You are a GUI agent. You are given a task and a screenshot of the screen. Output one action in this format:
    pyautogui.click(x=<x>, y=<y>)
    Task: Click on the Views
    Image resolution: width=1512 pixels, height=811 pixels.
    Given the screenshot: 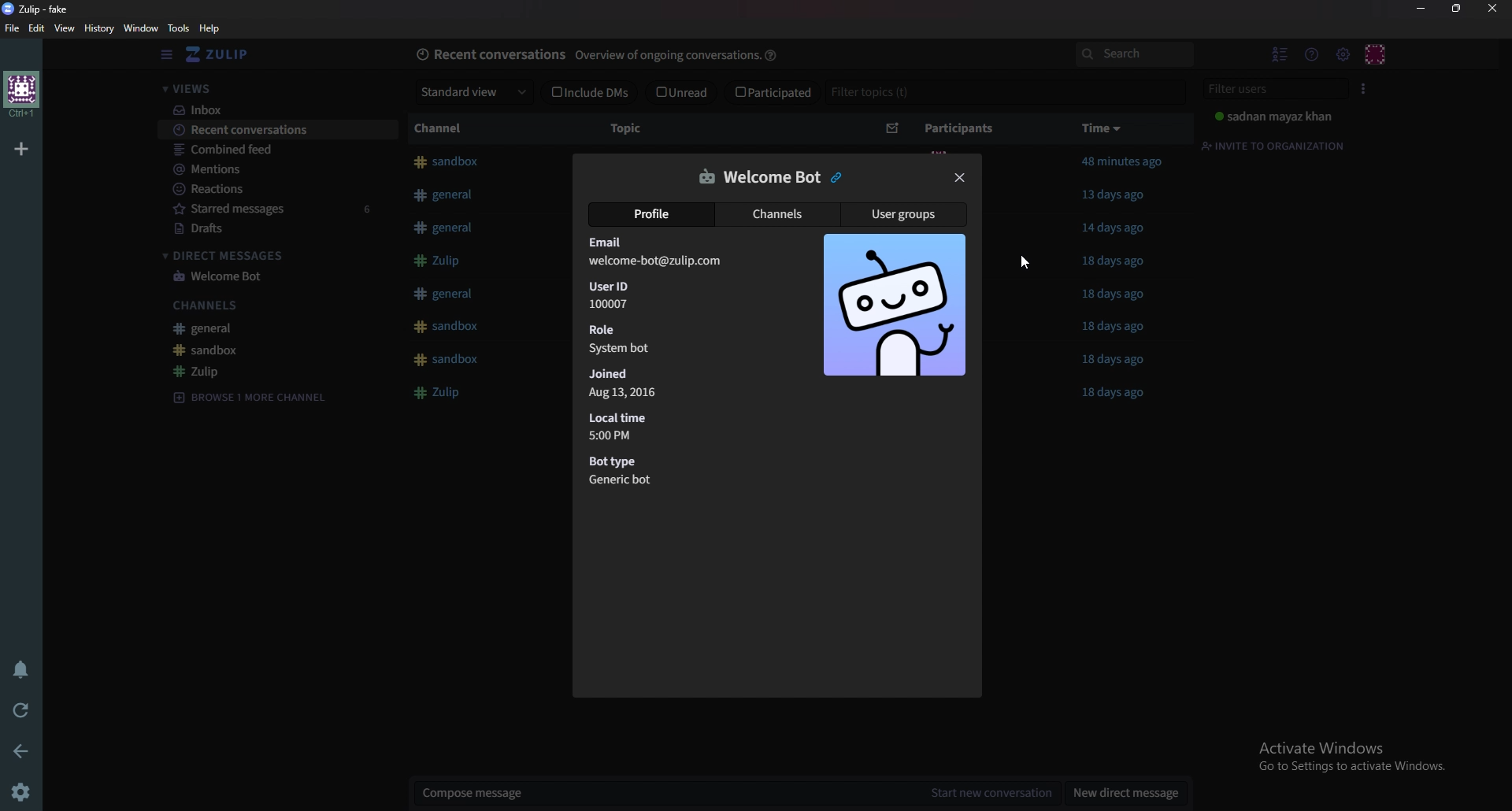 What is the action you would take?
    pyautogui.click(x=266, y=87)
    